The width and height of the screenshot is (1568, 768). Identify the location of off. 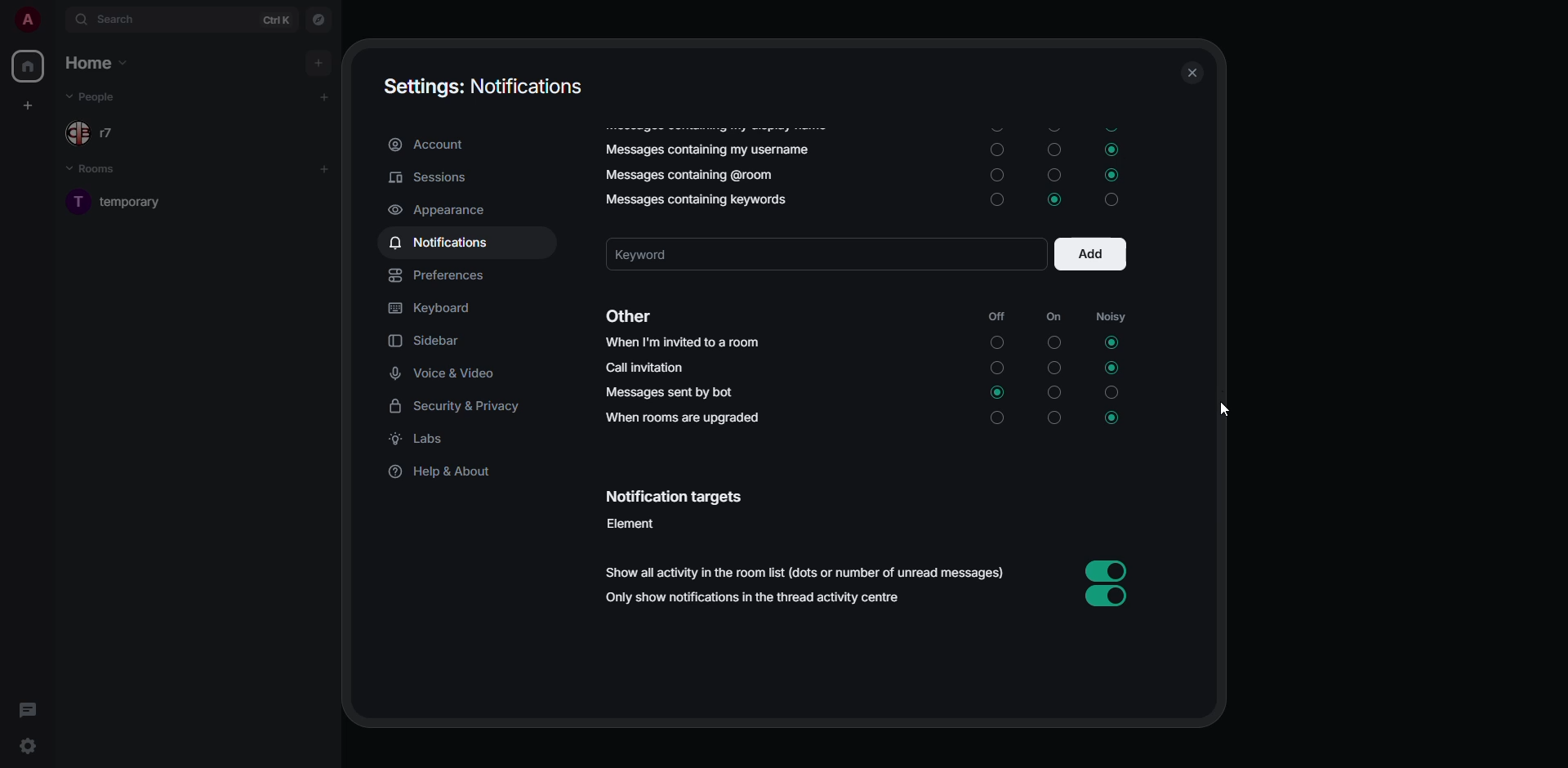
(1053, 343).